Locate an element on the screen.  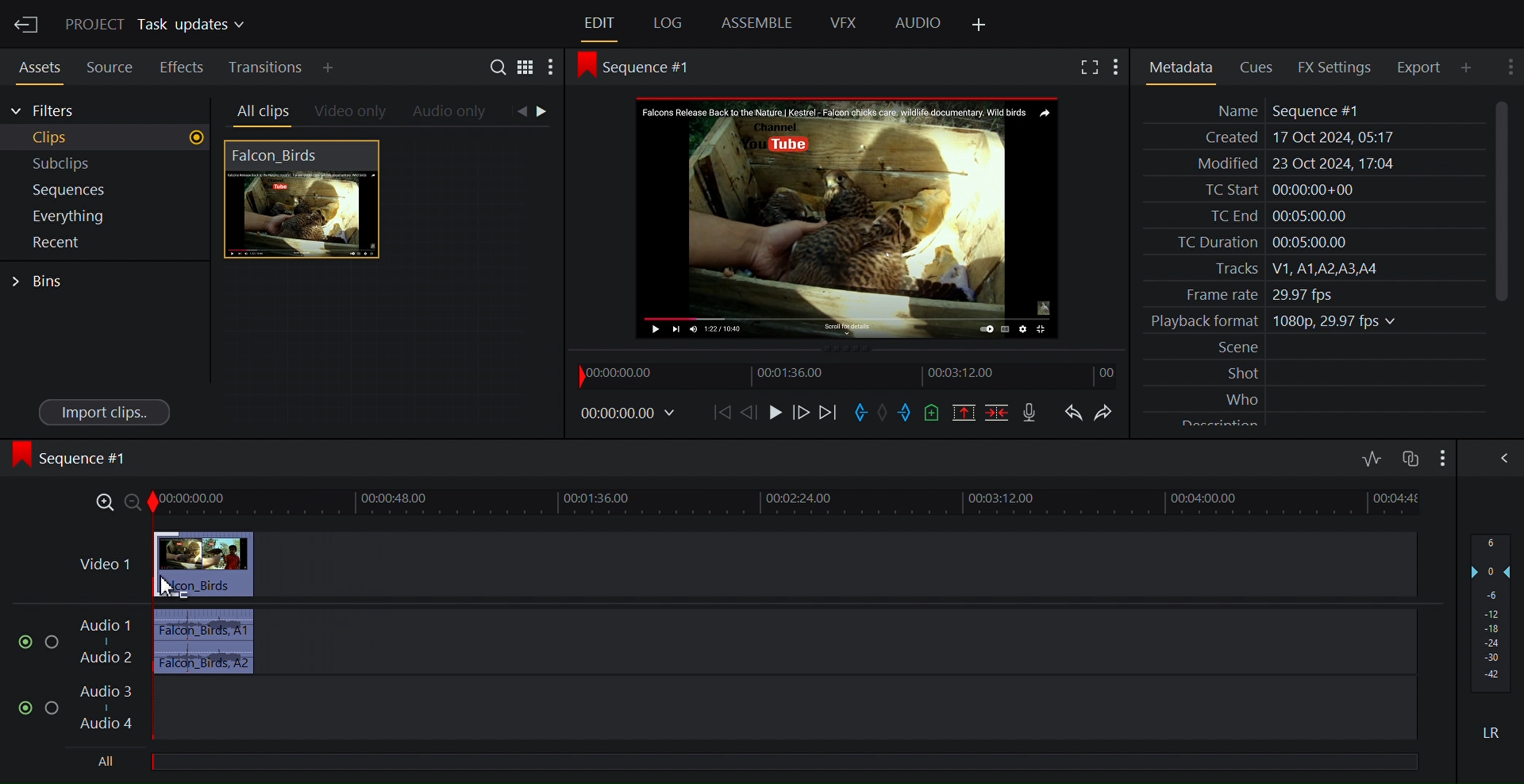
Timecodes and reels is located at coordinates (631, 413).